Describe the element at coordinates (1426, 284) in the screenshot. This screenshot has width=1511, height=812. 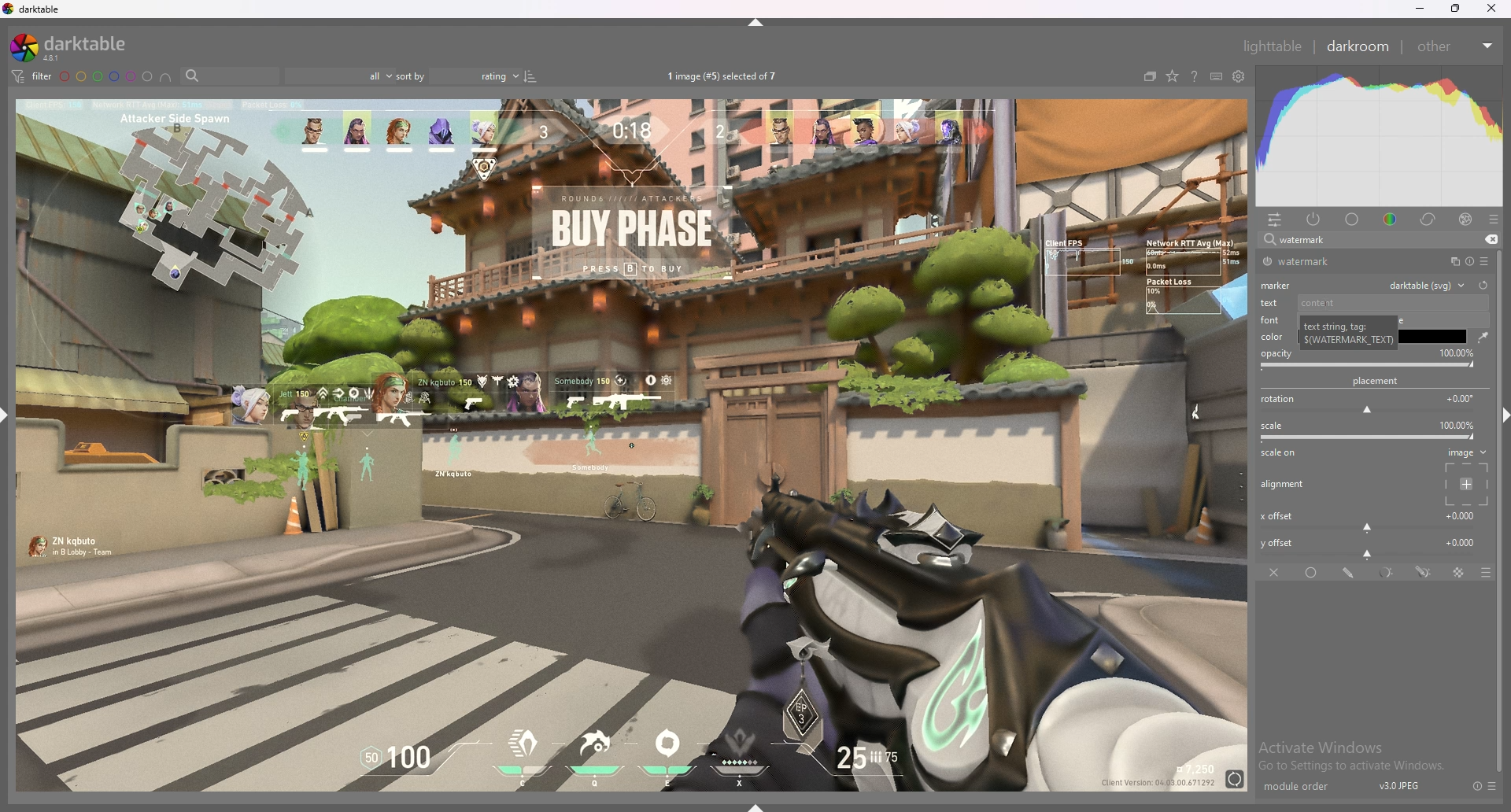
I see `marker type` at that location.